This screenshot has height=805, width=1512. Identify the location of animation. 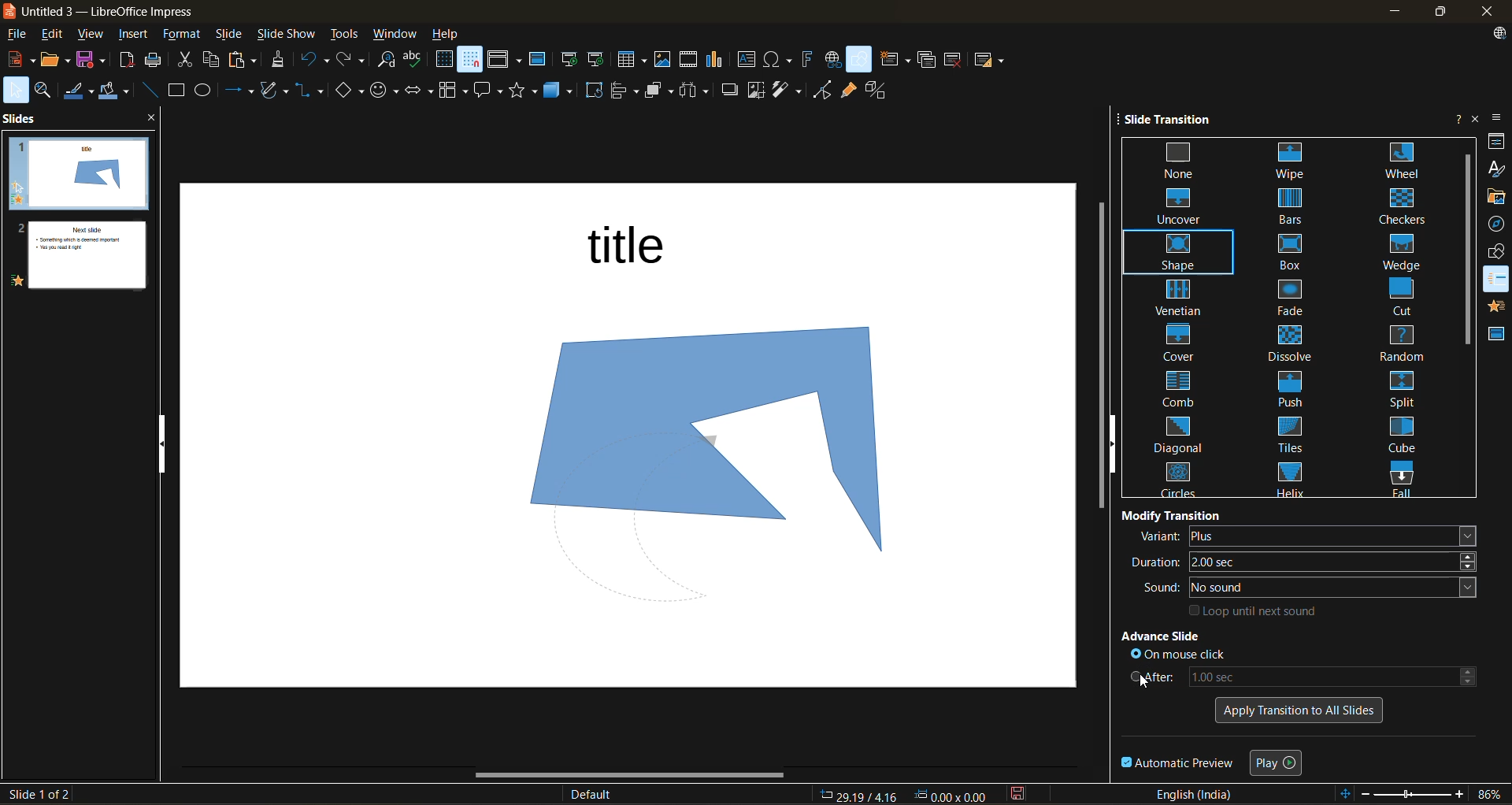
(1498, 280).